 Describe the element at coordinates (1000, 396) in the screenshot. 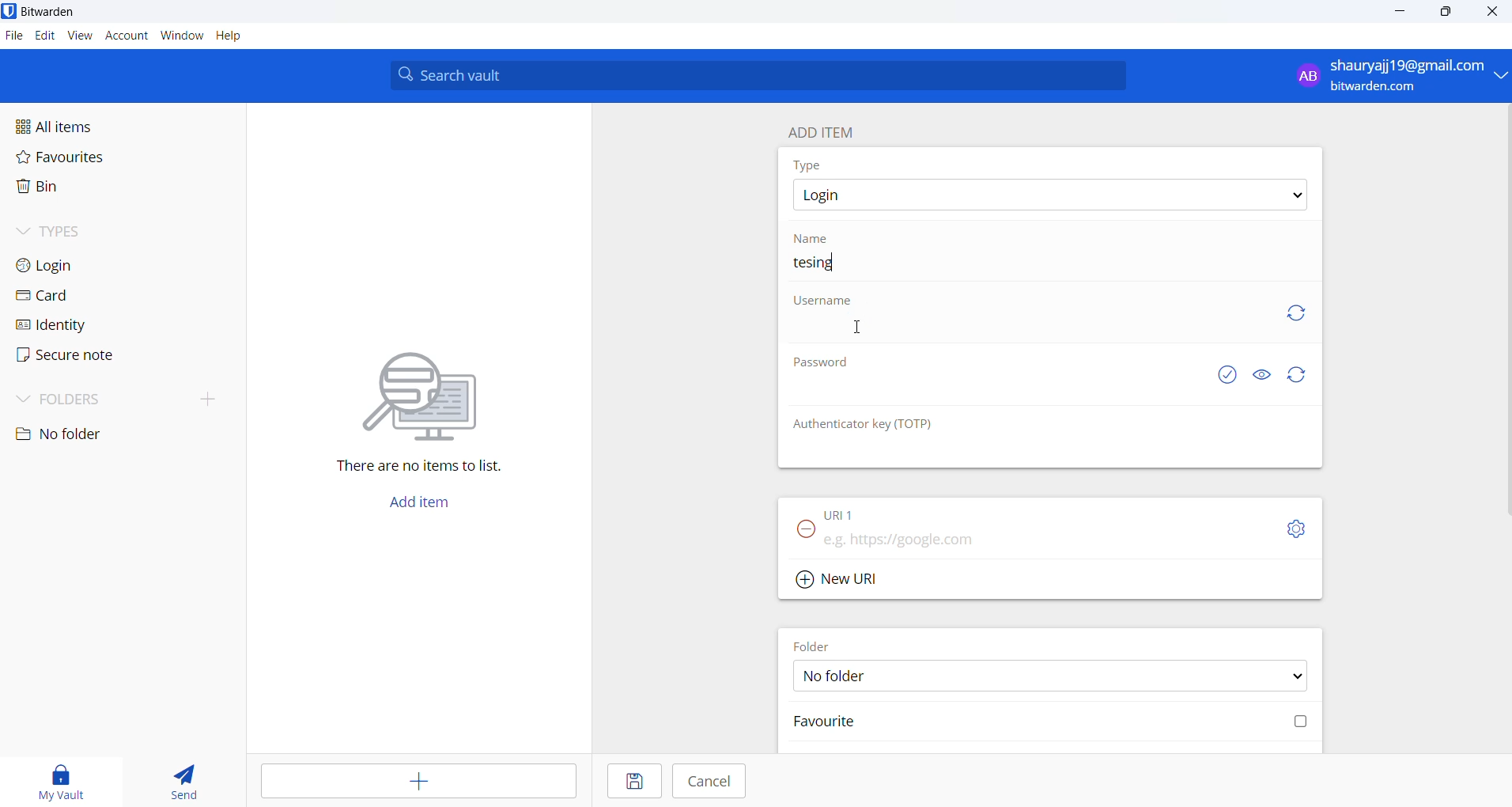

I see `Password input box` at that location.